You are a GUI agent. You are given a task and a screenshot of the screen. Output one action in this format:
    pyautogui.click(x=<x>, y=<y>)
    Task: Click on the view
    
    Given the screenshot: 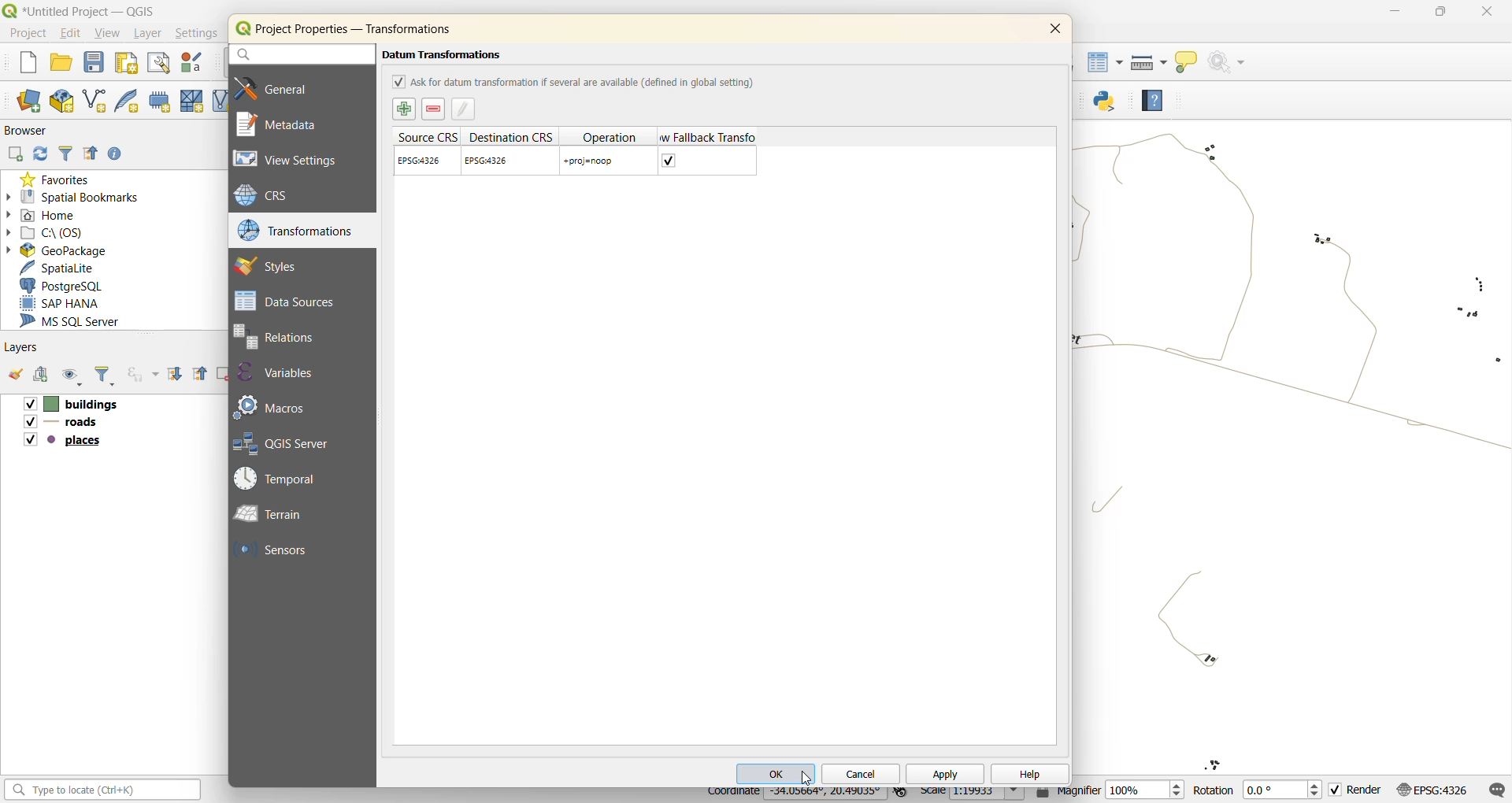 What is the action you would take?
    pyautogui.click(x=109, y=34)
    